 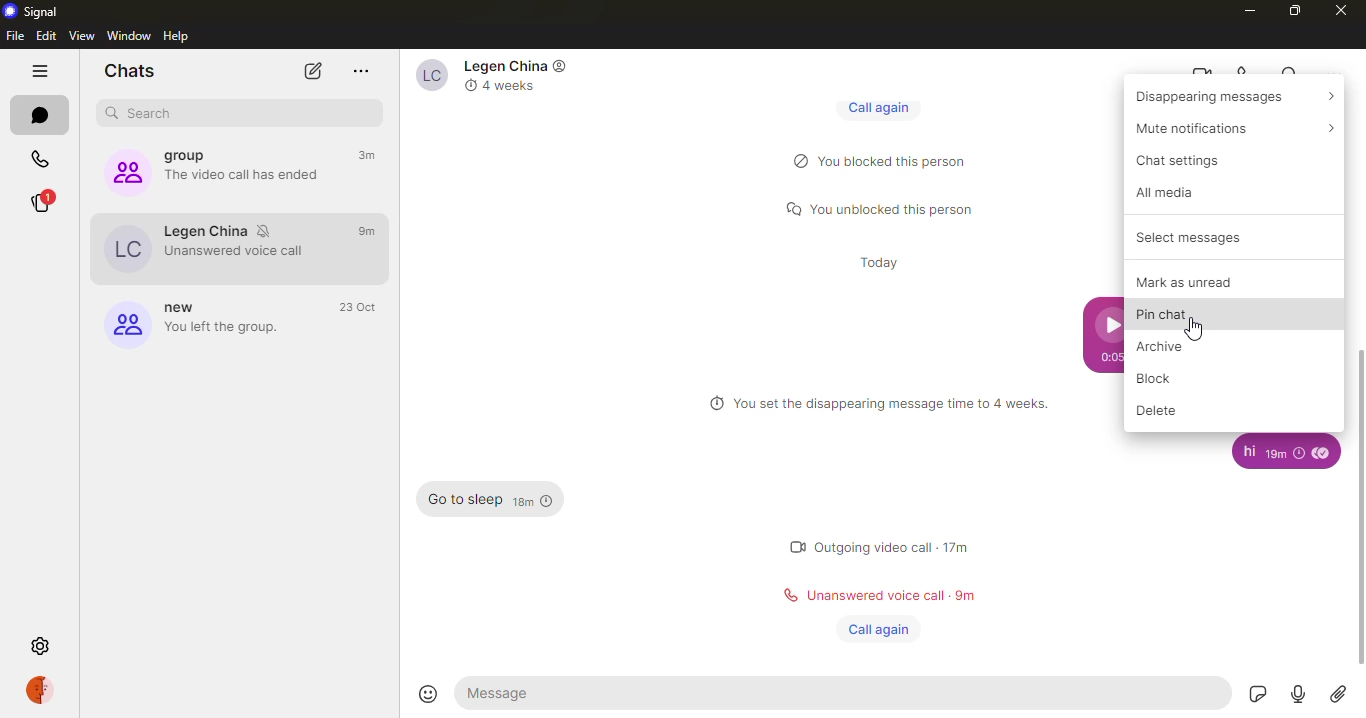 I want to click on status message, so click(x=872, y=208).